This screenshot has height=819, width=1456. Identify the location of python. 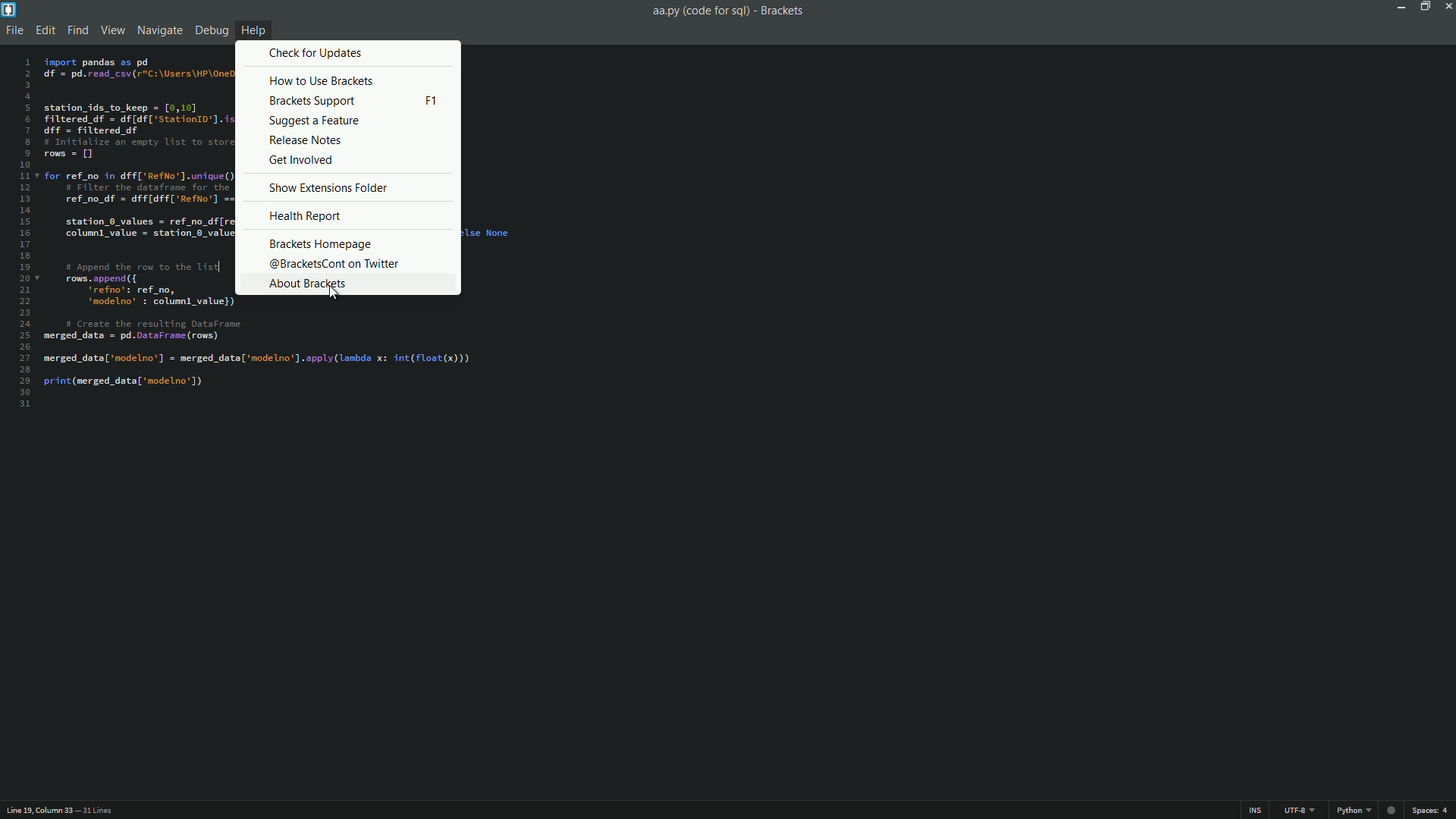
(1352, 810).